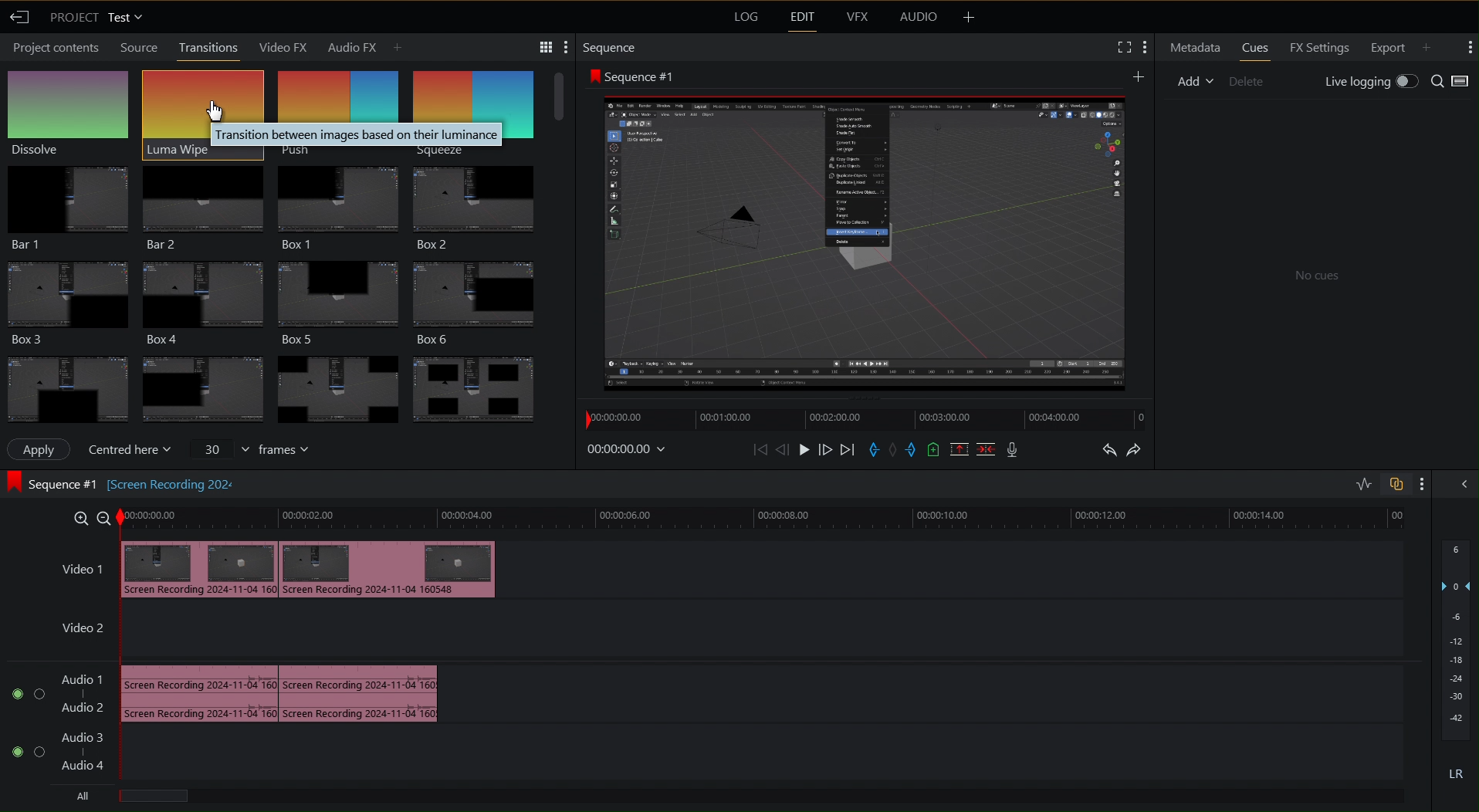  What do you see at coordinates (783, 450) in the screenshot?
I see `Move Back` at bounding box center [783, 450].